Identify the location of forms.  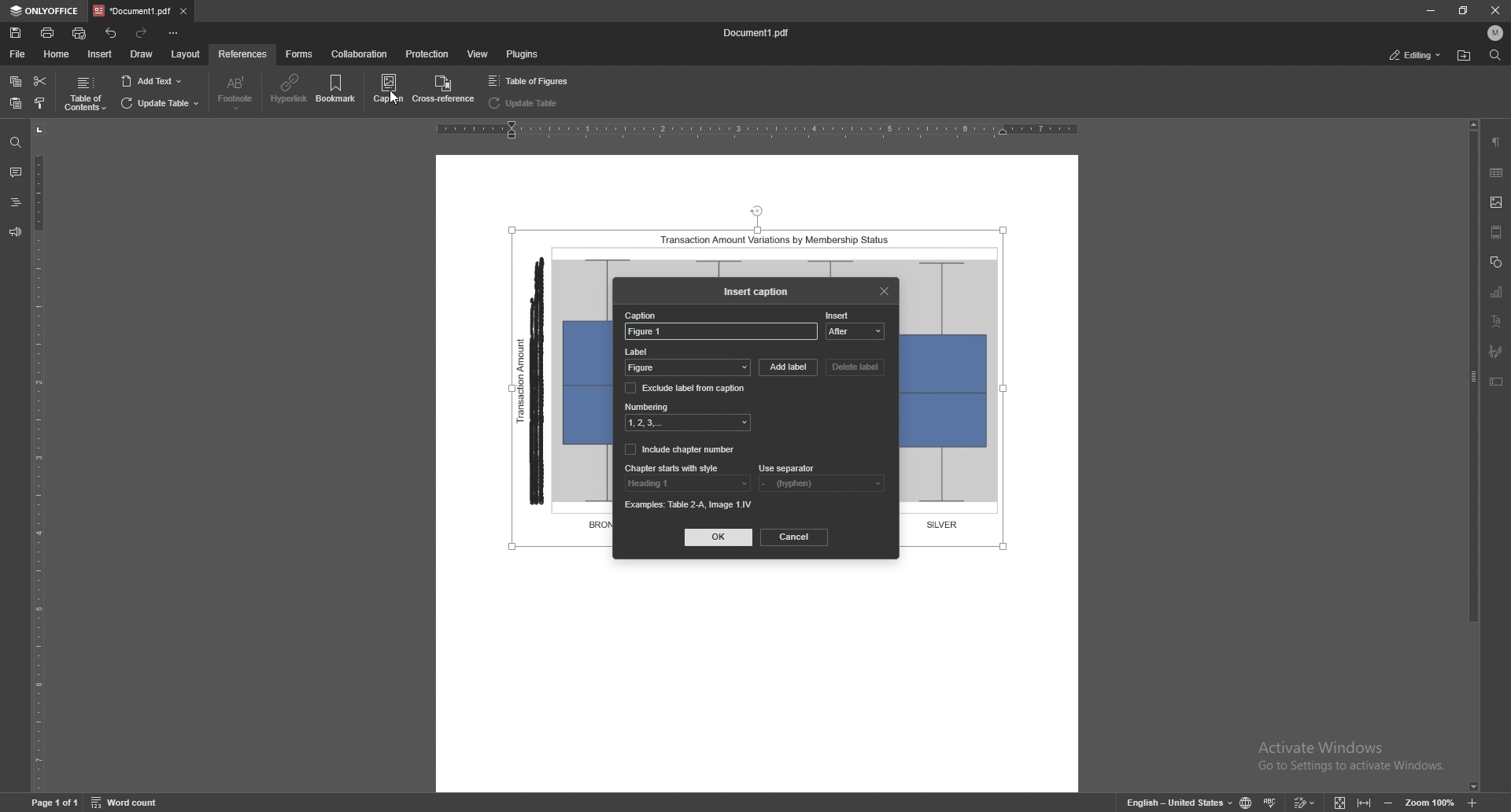
(301, 54).